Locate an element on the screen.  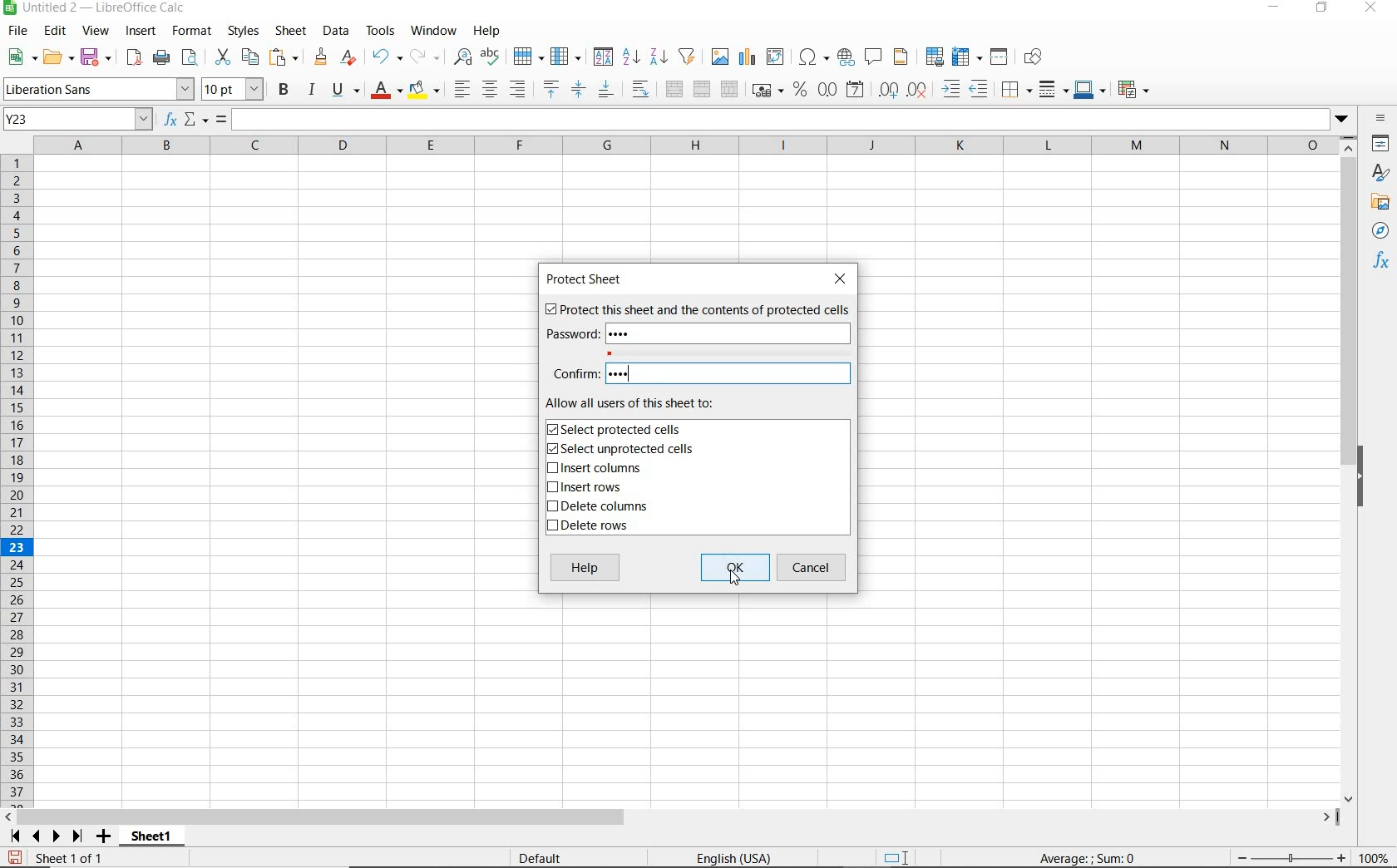
SELECT PROTECTED CELLS is located at coordinates (618, 429).